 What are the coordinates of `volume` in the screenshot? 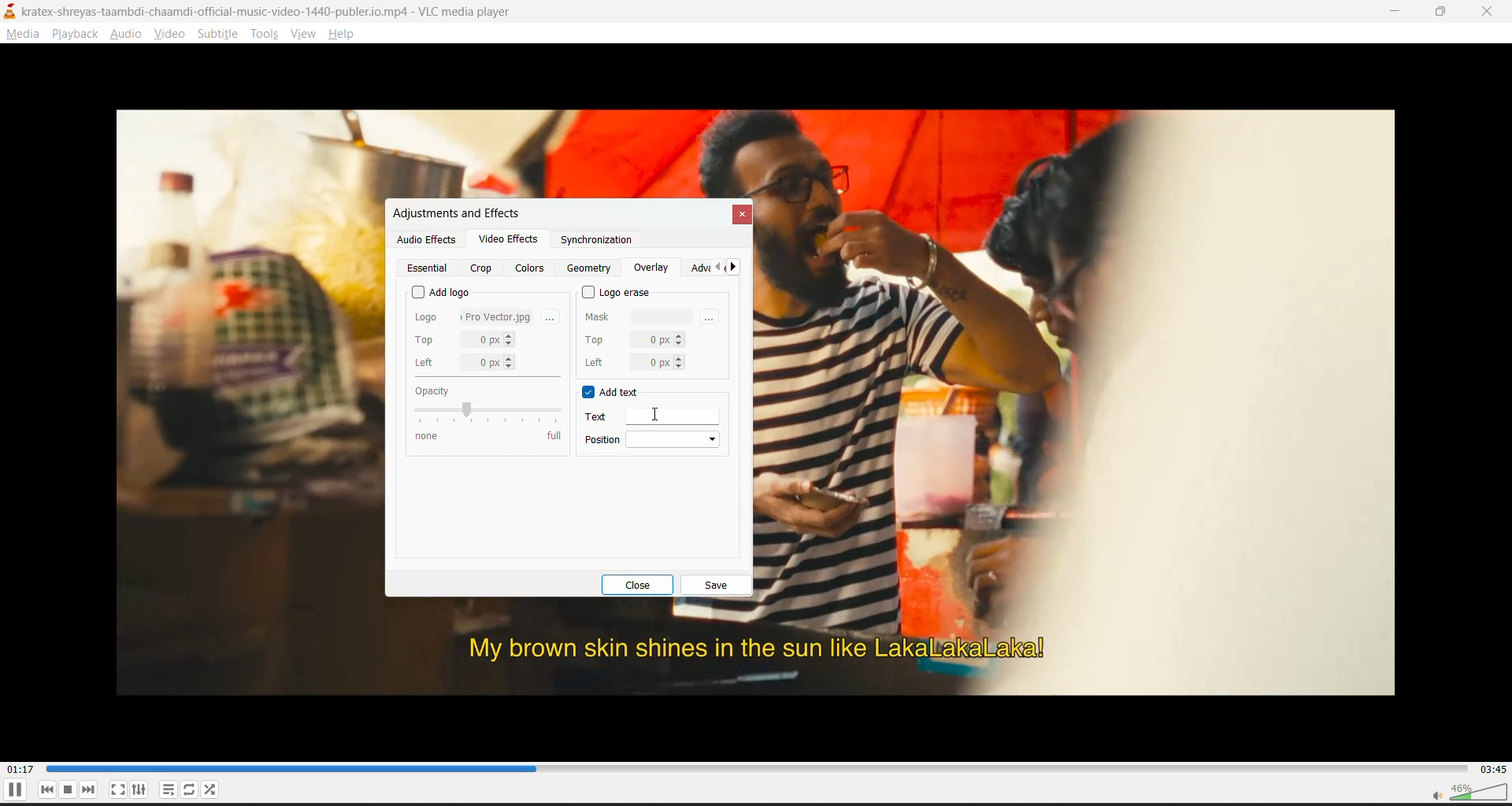 It's located at (1467, 792).